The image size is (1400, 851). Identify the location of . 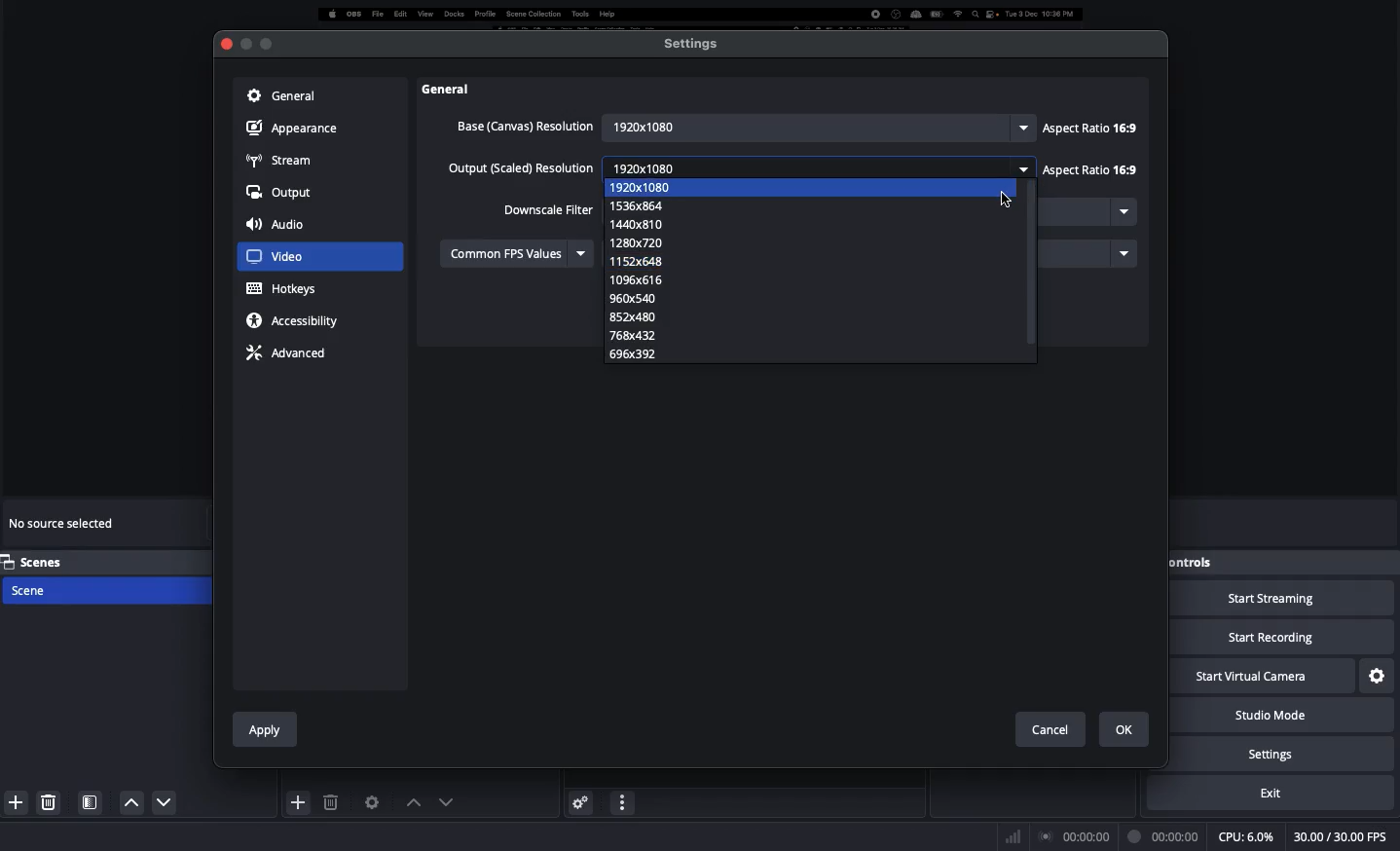
(1033, 272).